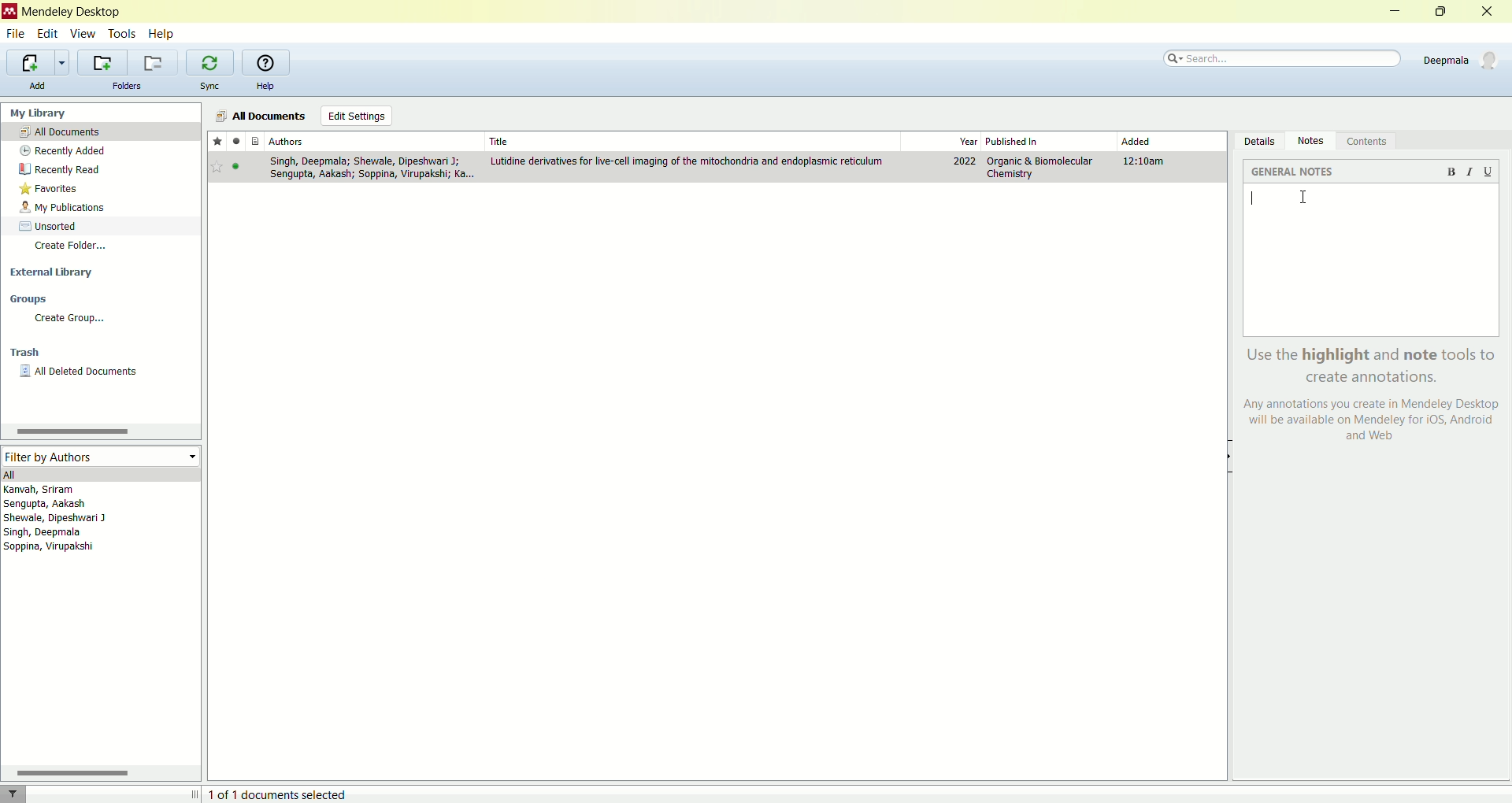  I want to click on Authors, so click(372, 141).